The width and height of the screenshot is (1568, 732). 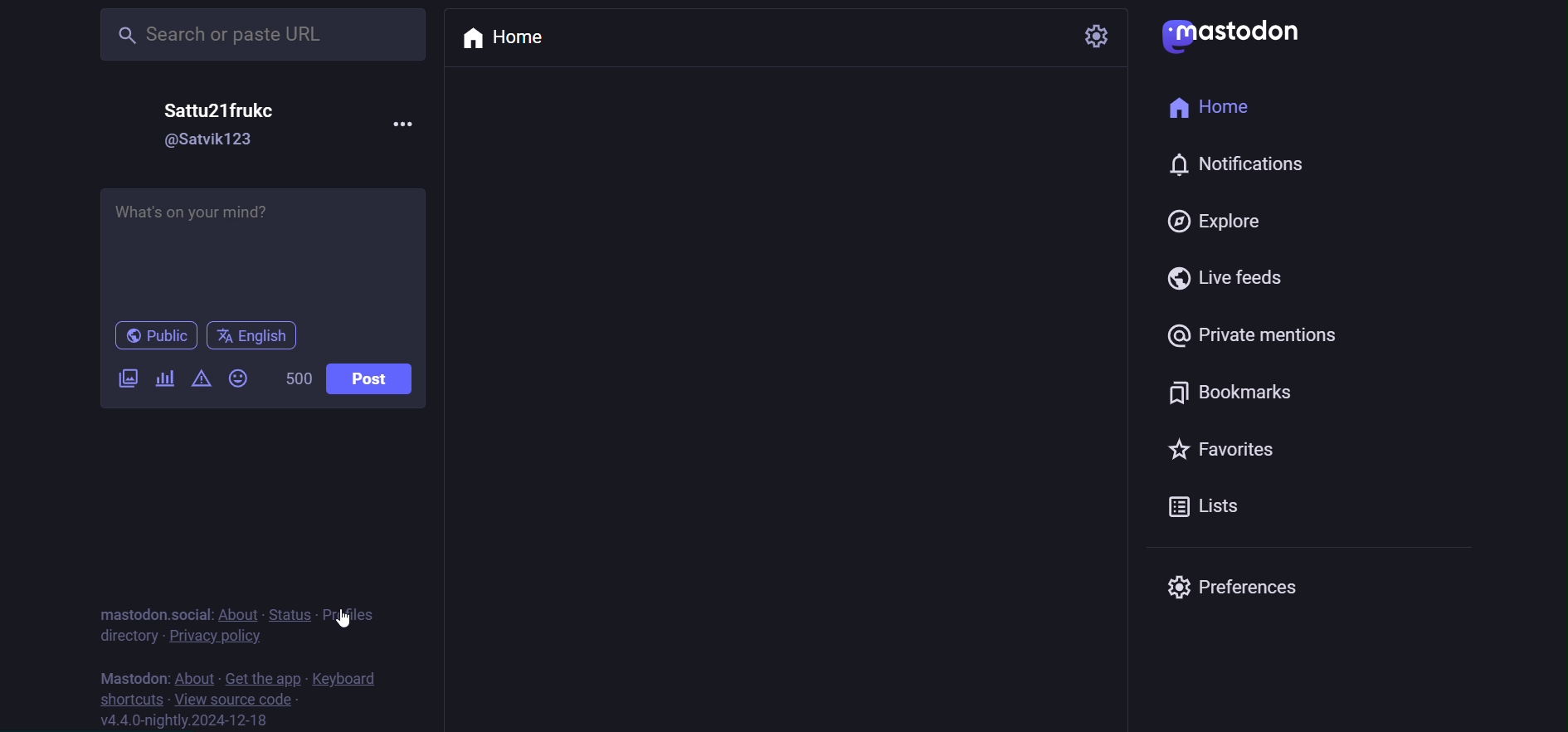 I want to click on keyboard, so click(x=347, y=679).